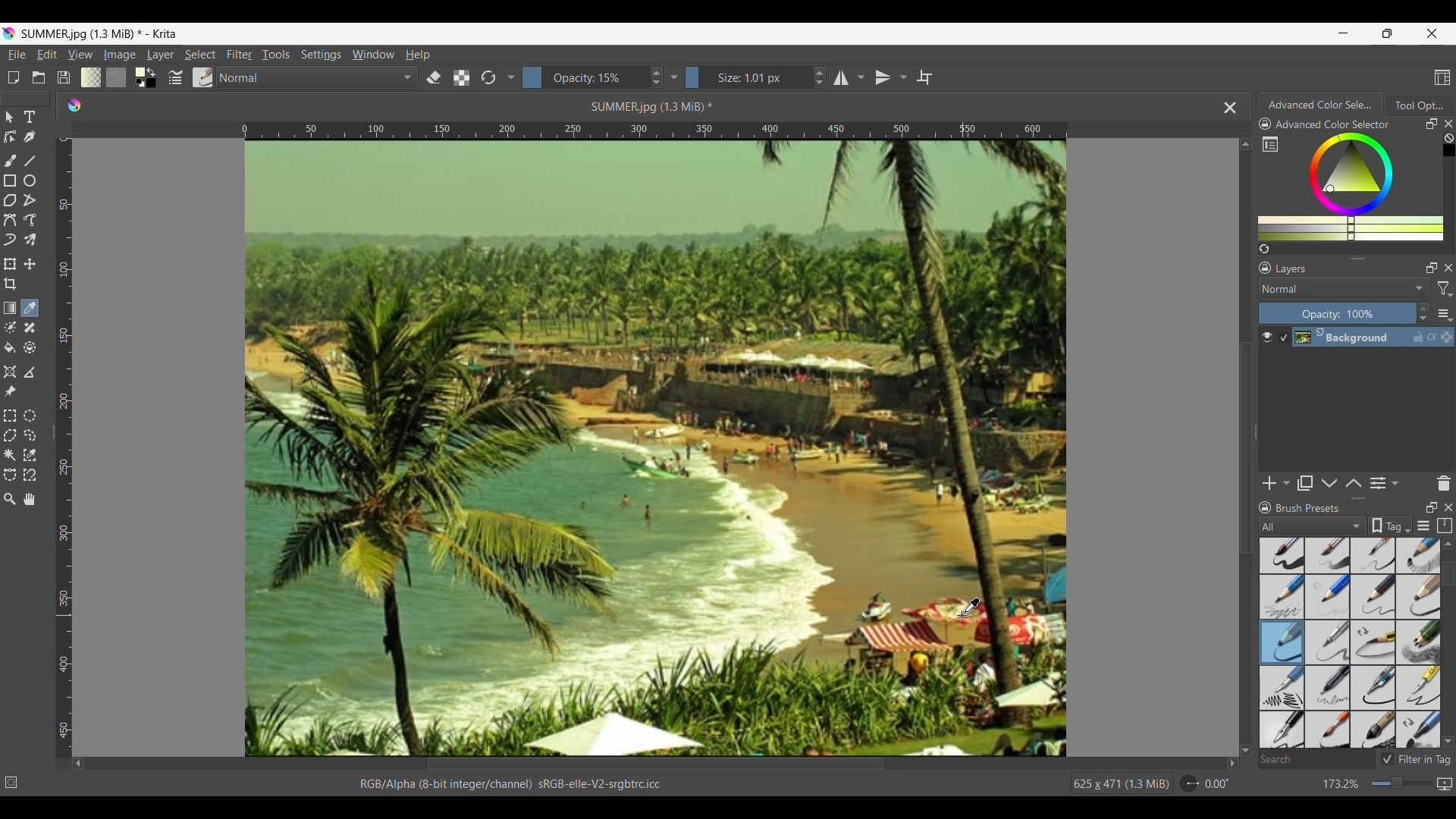 This screenshot has height=819, width=1456. What do you see at coordinates (1313, 526) in the screenshot?
I see `Tag options` at bounding box center [1313, 526].